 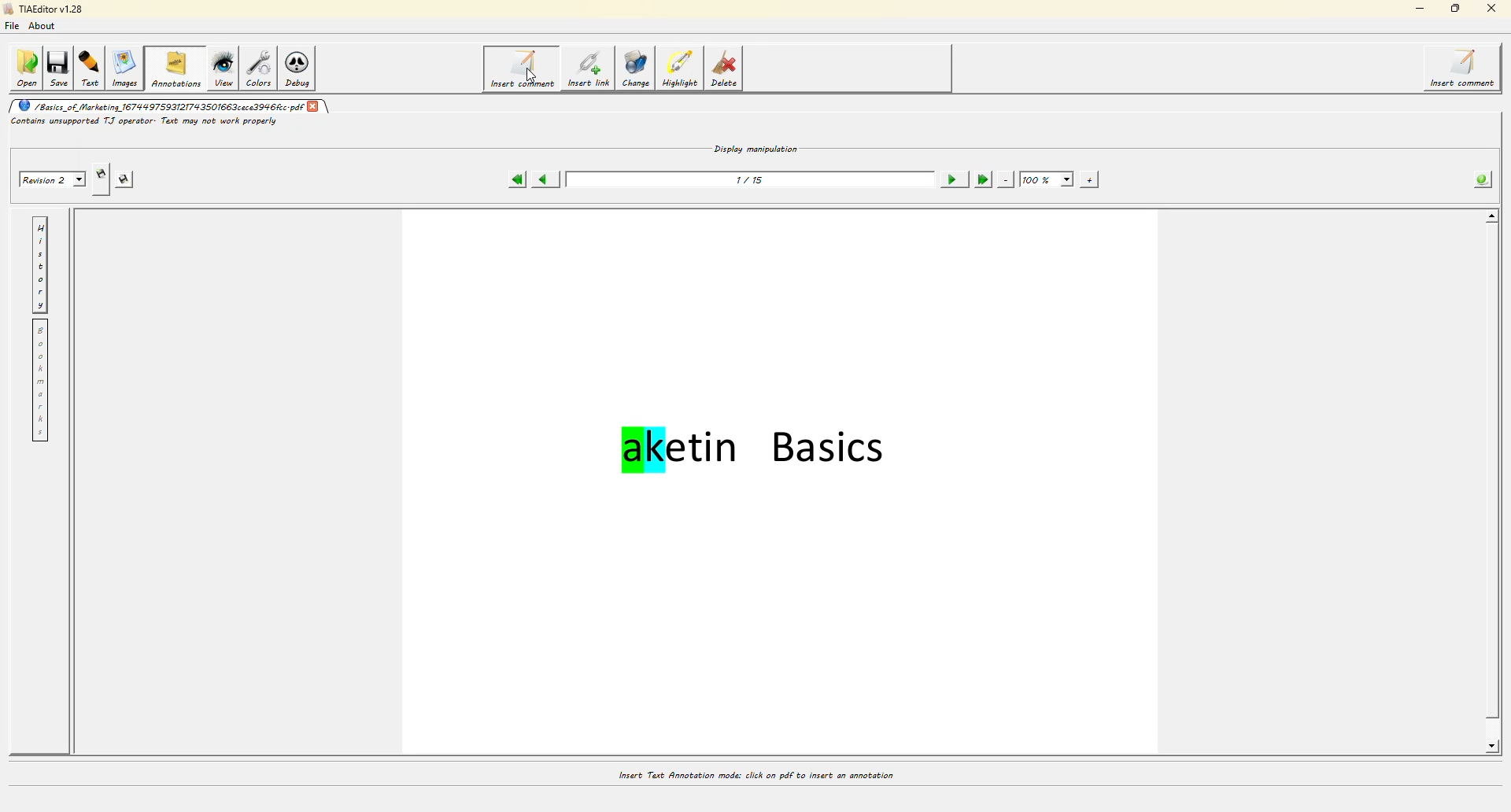 What do you see at coordinates (1417, 9) in the screenshot?
I see `minimize` at bounding box center [1417, 9].